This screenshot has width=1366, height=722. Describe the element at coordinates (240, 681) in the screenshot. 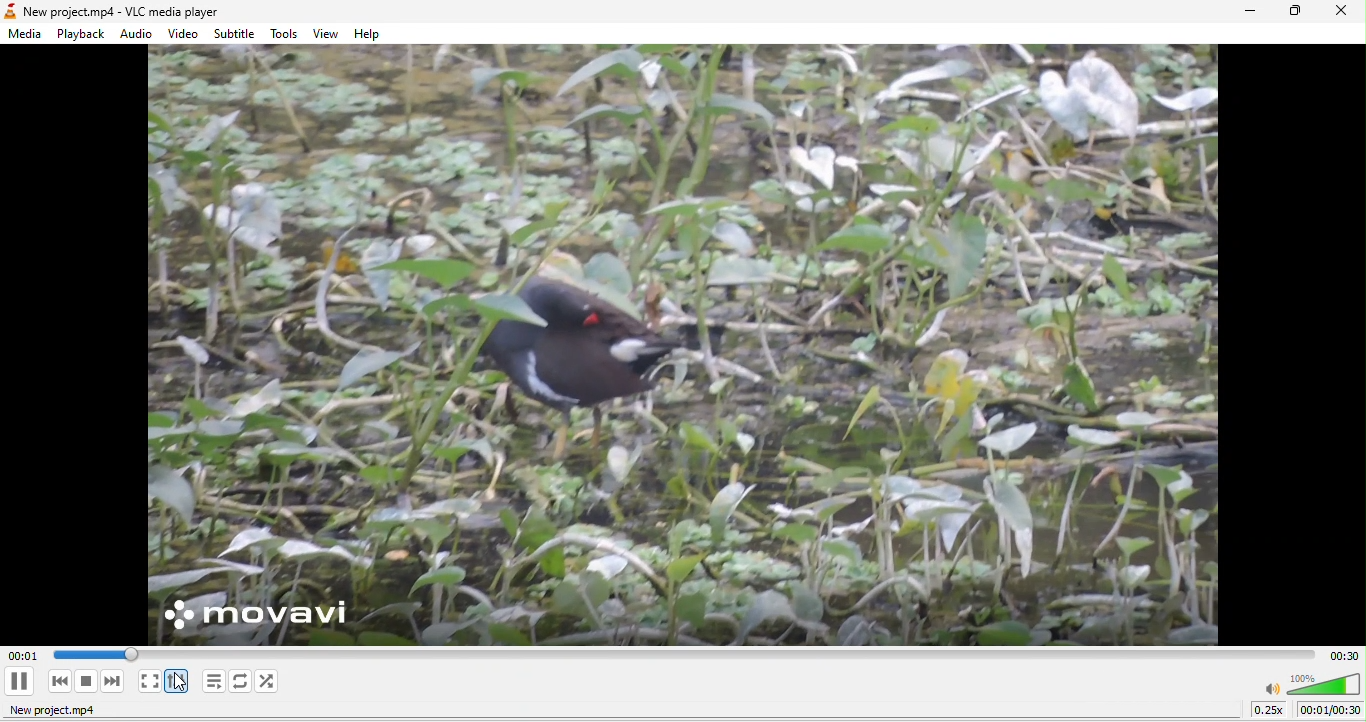

I see `click to toggle between loop all` at that location.